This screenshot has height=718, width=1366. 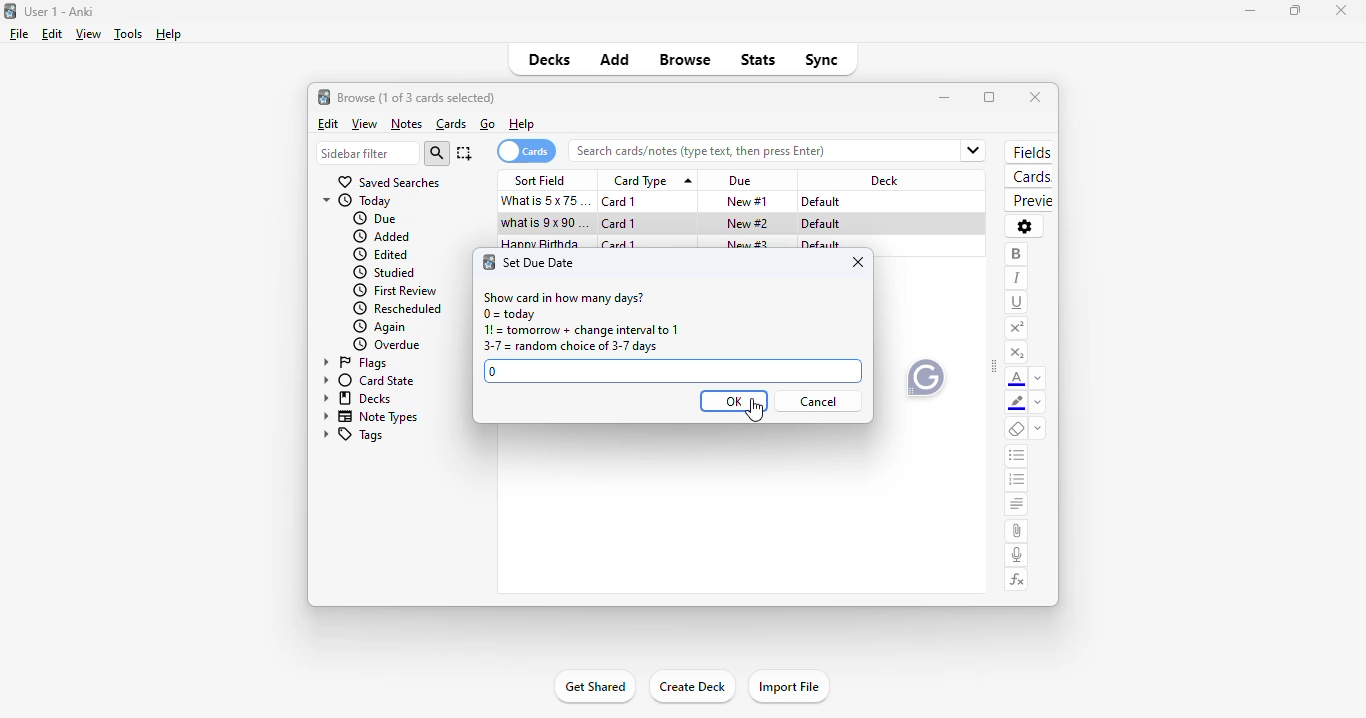 What do you see at coordinates (1018, 480) in the screenshot?
I see `ordered list` at bounding box center [1018, 480].